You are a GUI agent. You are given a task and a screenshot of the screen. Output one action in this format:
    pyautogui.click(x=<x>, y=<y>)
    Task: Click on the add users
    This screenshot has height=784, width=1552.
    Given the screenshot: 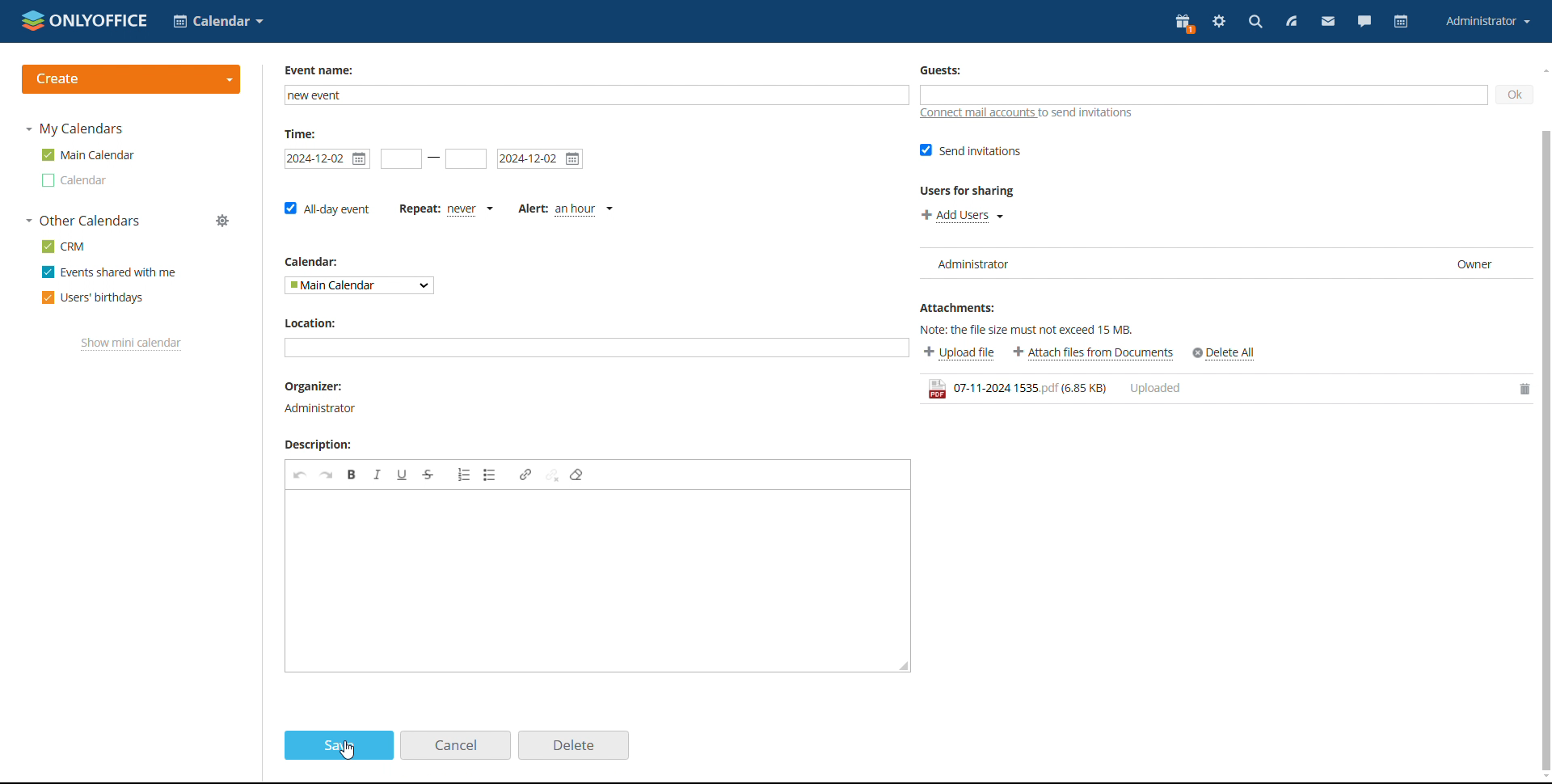 What is the action you would take?
    pyautogui.click(x=960, y=216)
    